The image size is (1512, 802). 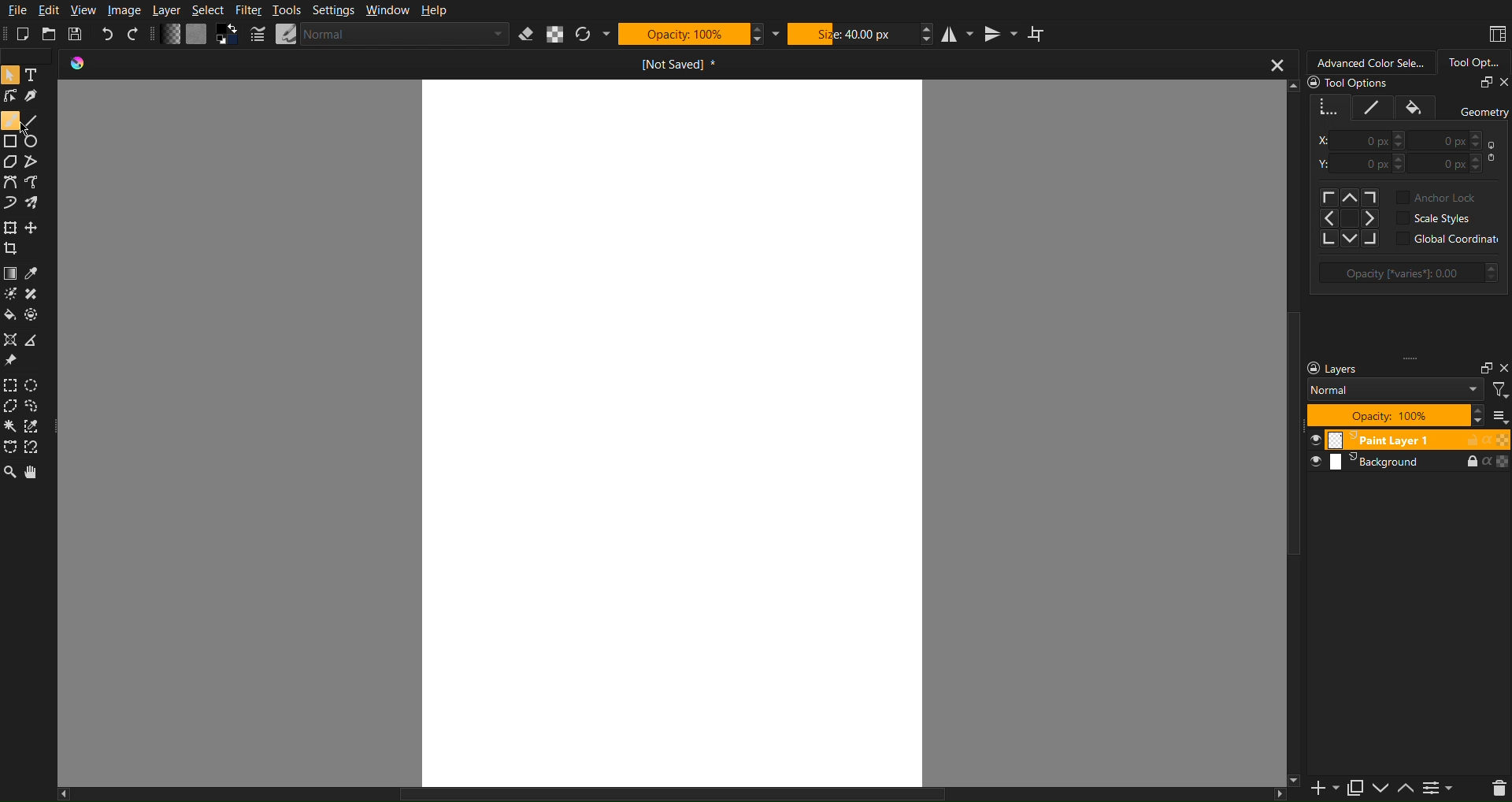 I want to click on Layer Settings, so click(x=1388, y=369).